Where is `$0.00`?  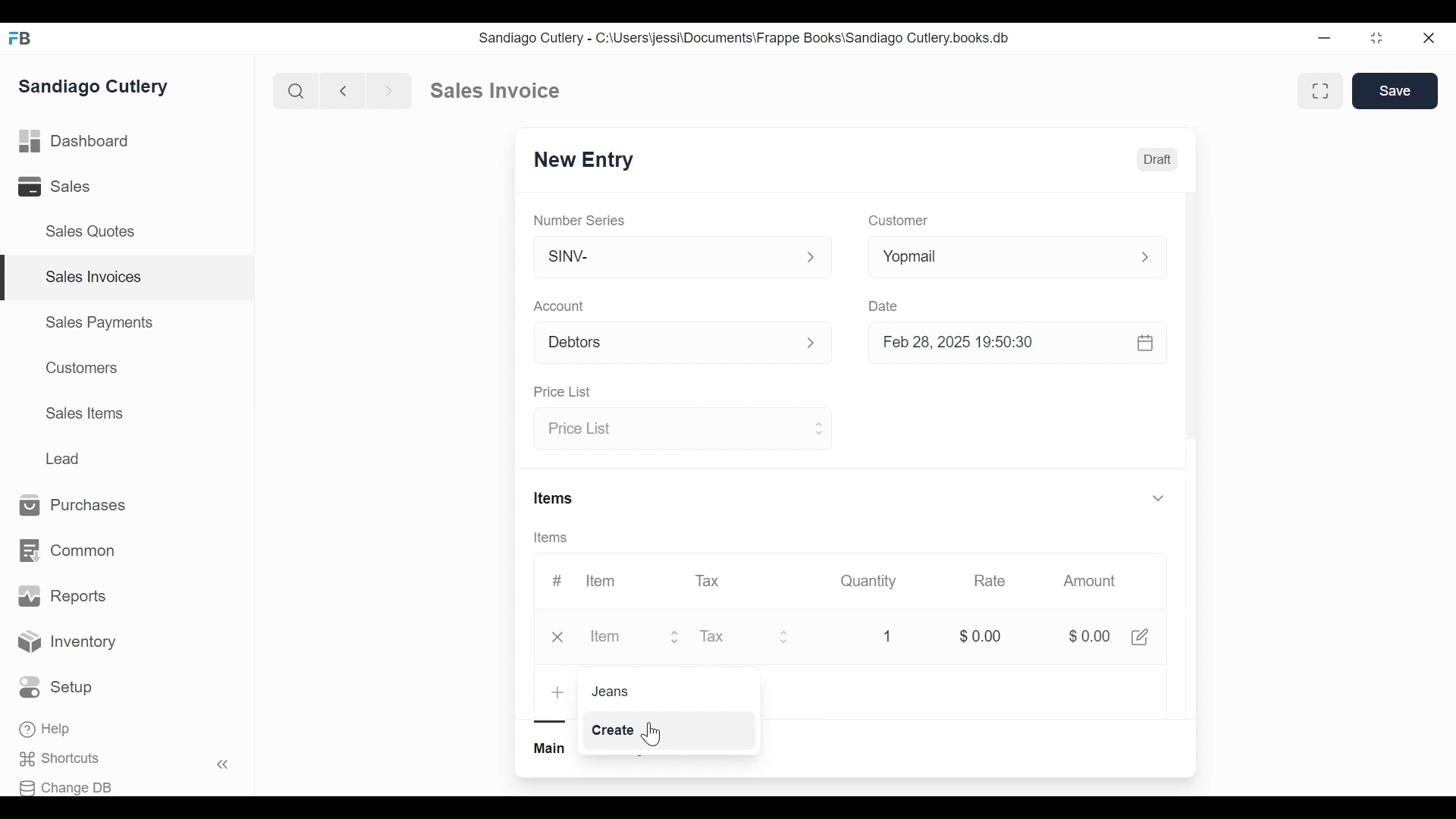 $0.00 is located at coordinates (980, 634).